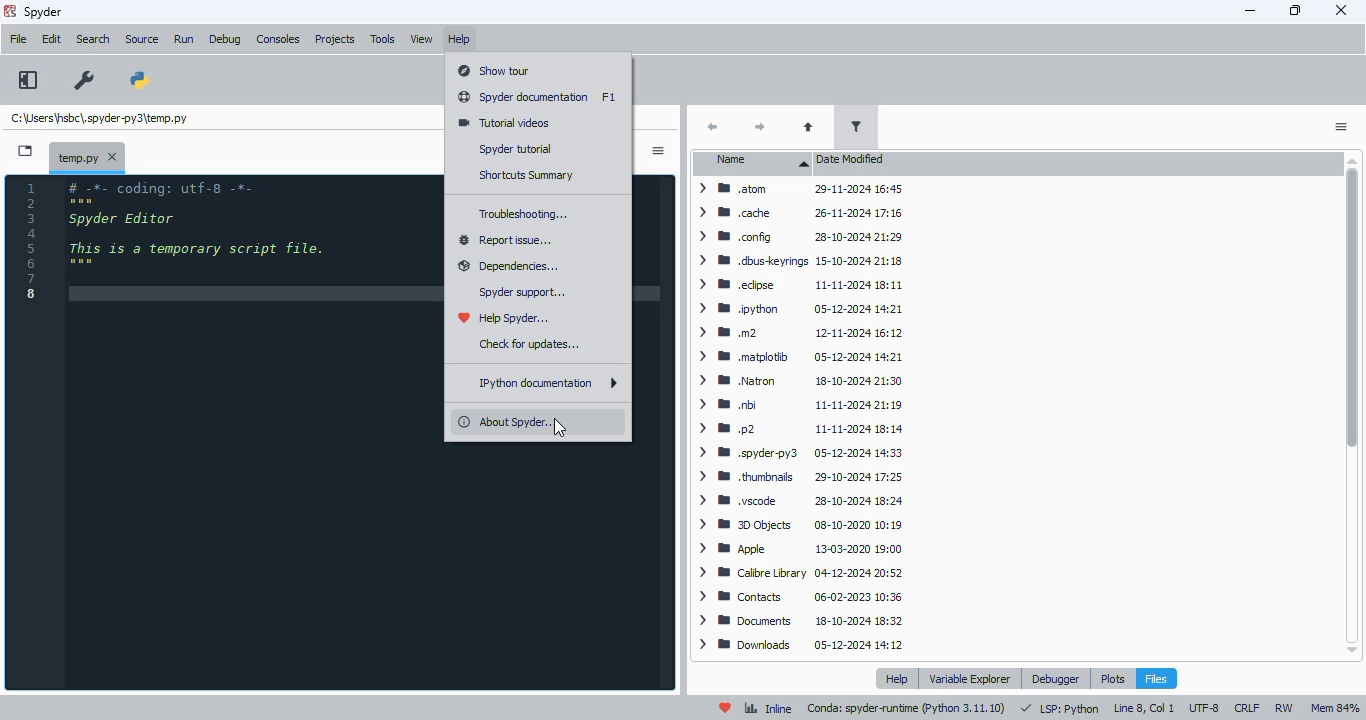 The width and height of the screenshot is (1366, 720). I want to click on help spyder!, so click(725, 707).